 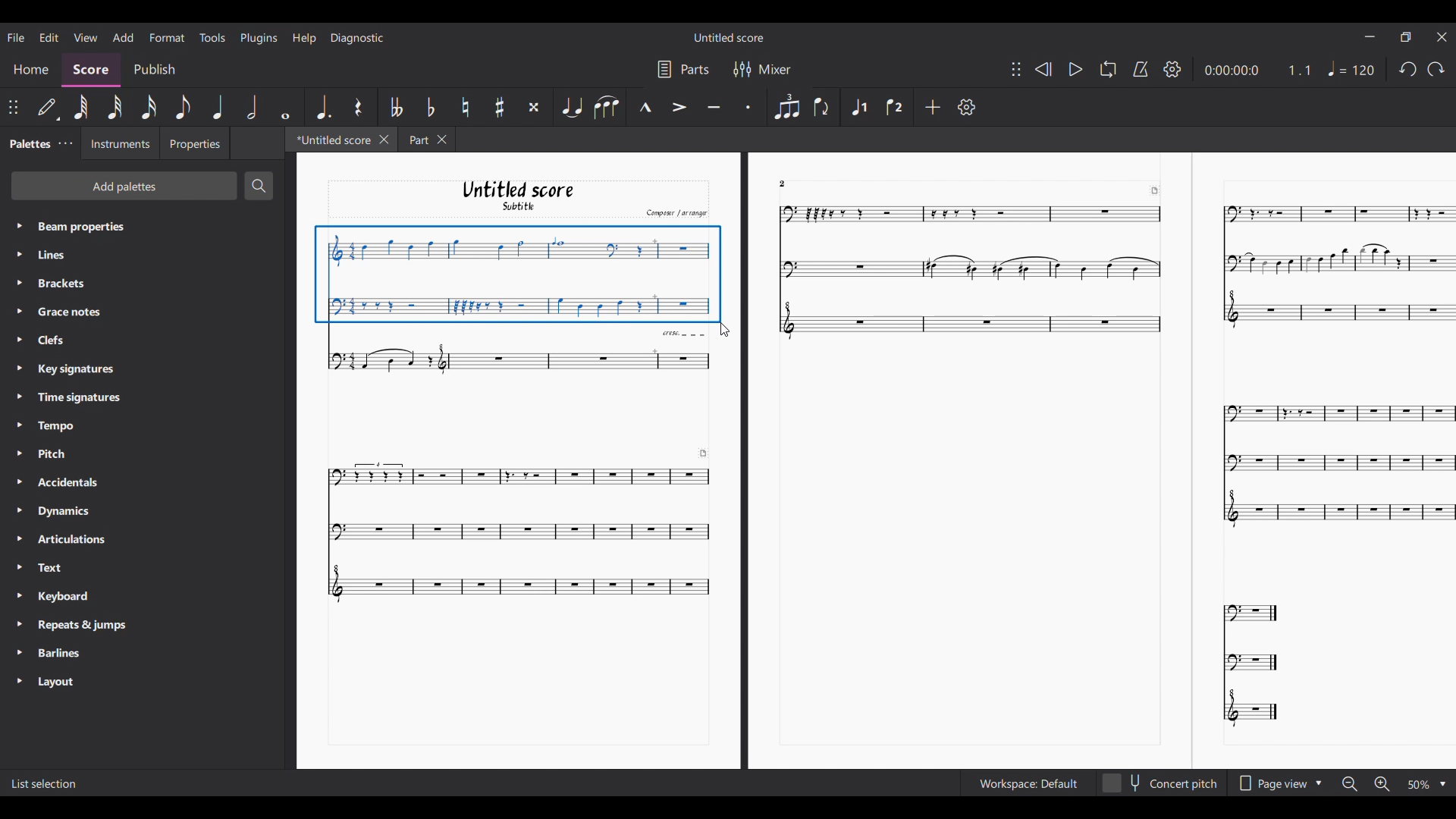 I want to click on Keyboard, so click(x=73, y=598).